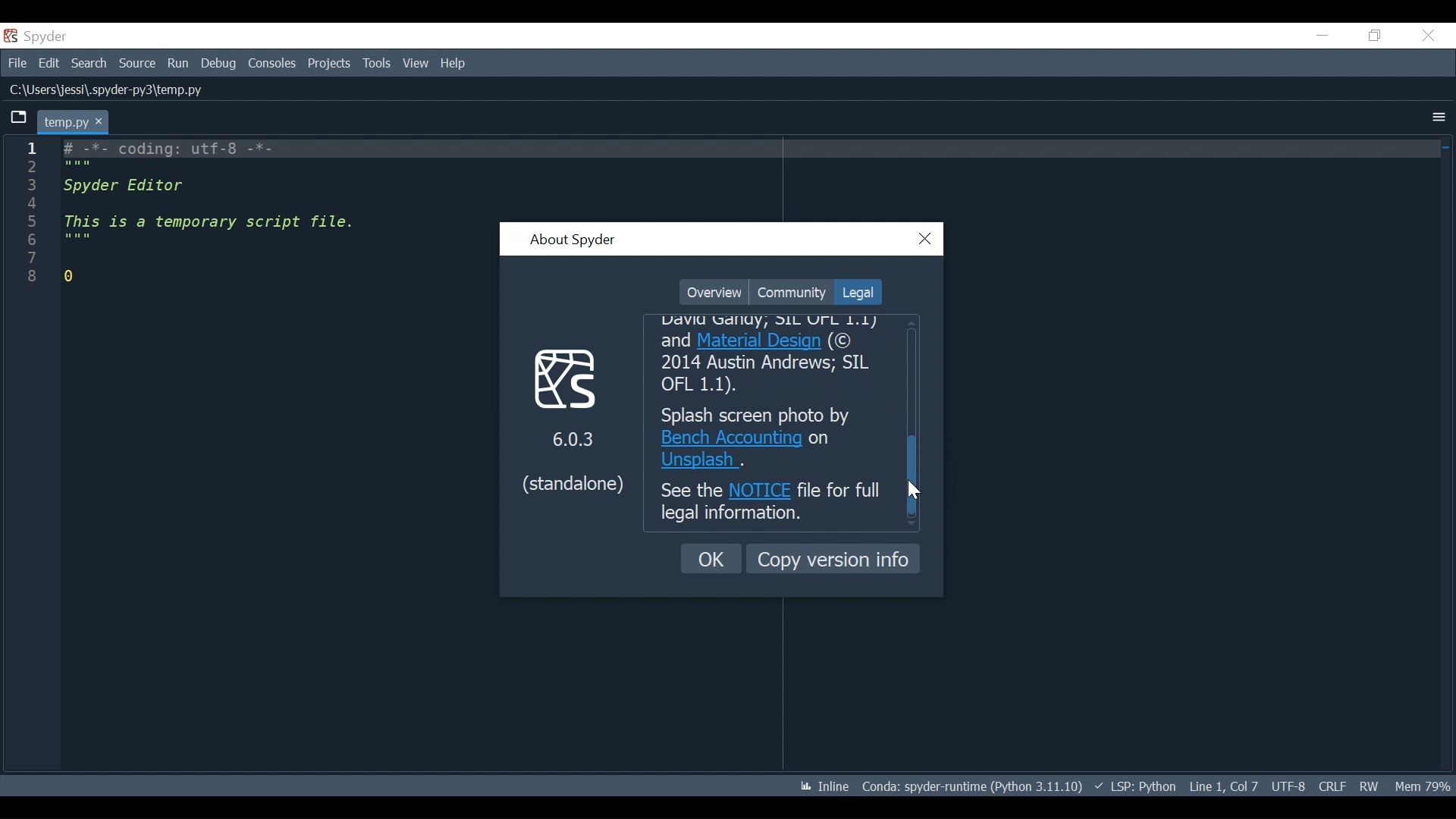 The height and width of the screenshot is (819, 1456). I want to click on Projects, so click(329, 64).